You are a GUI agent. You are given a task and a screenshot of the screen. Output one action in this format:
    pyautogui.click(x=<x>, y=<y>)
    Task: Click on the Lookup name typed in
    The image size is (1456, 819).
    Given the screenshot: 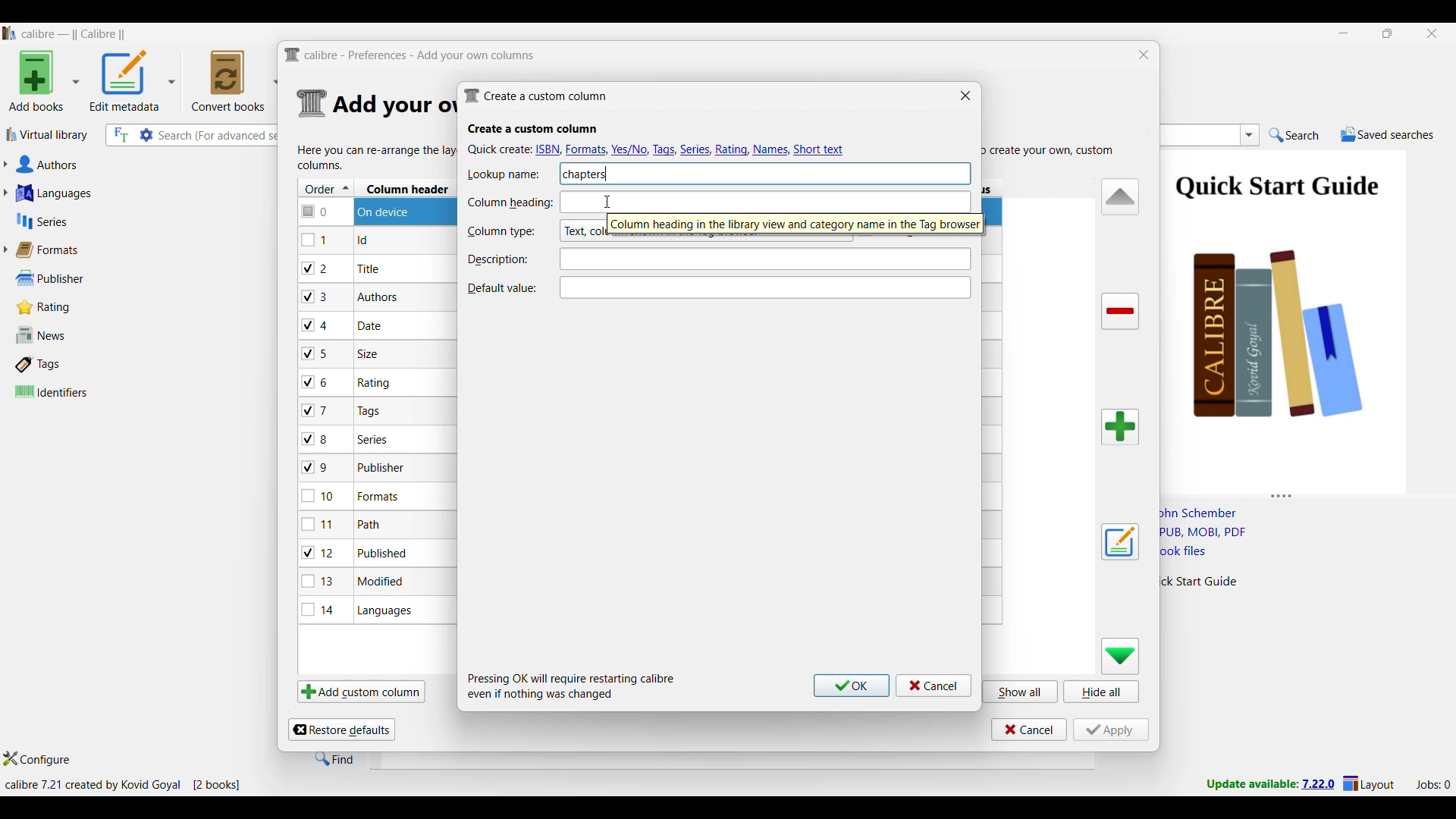 What is the action you would take?
    pyautogui.click(x=585, y=174)
    